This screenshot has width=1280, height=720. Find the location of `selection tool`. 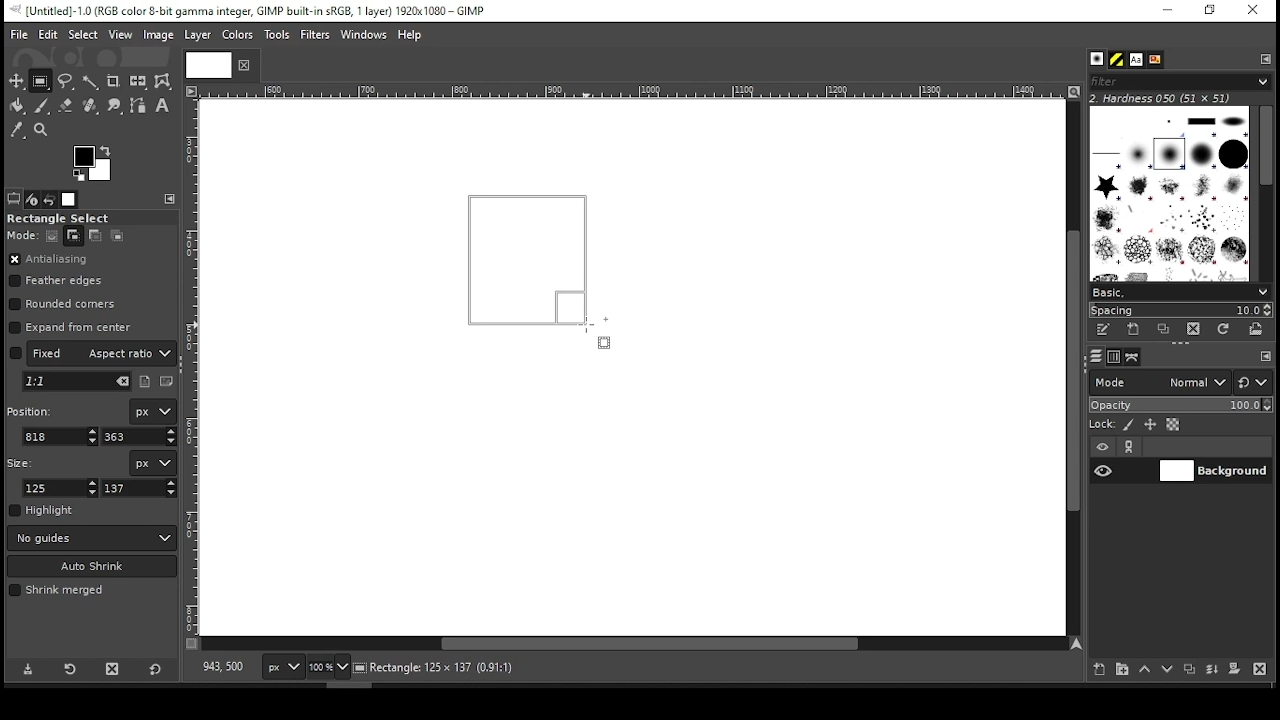

selection tool is located at coordinates (17, 81).